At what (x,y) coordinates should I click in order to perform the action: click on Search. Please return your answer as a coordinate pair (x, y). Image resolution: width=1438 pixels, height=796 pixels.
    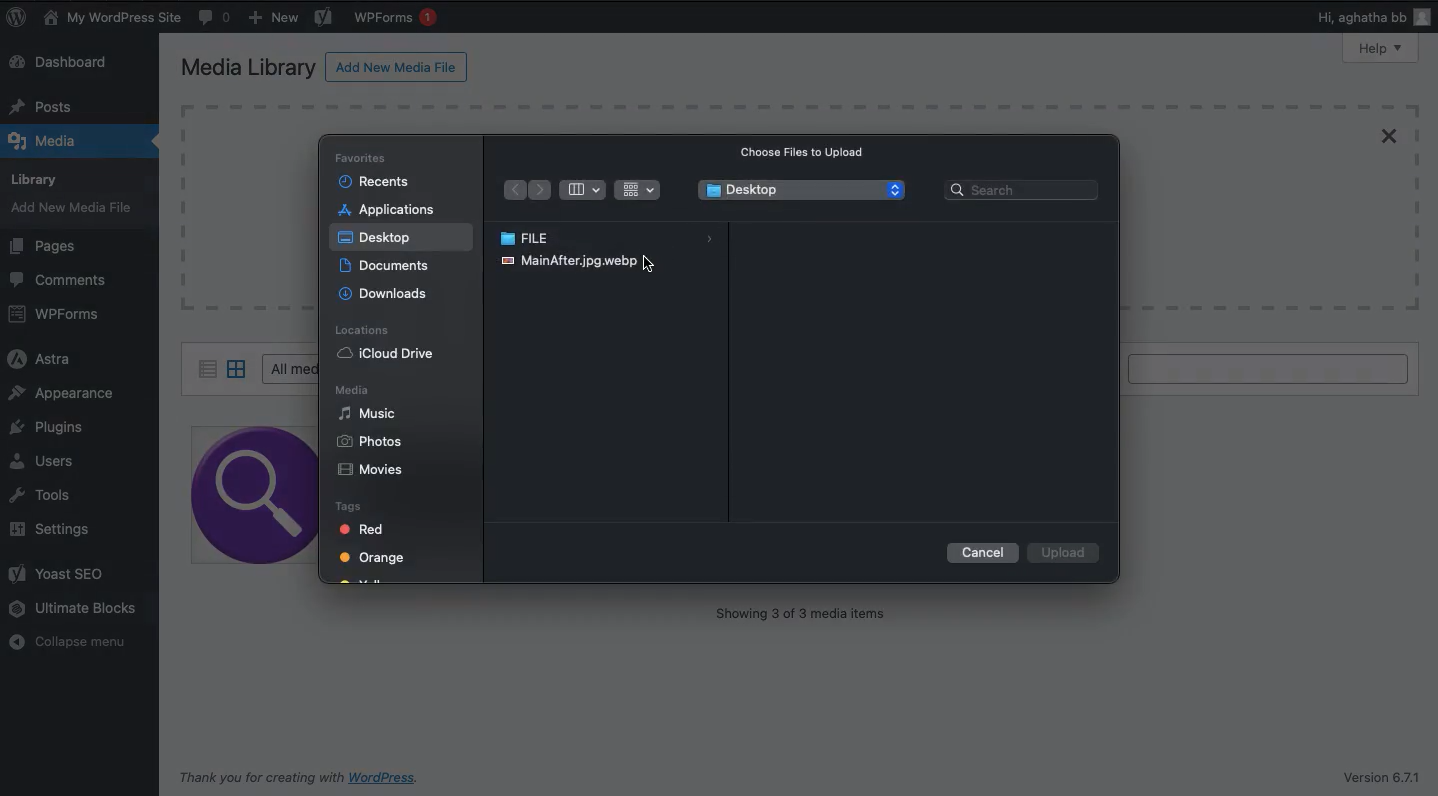
    Looking at the image, I should click on (1021, 191).